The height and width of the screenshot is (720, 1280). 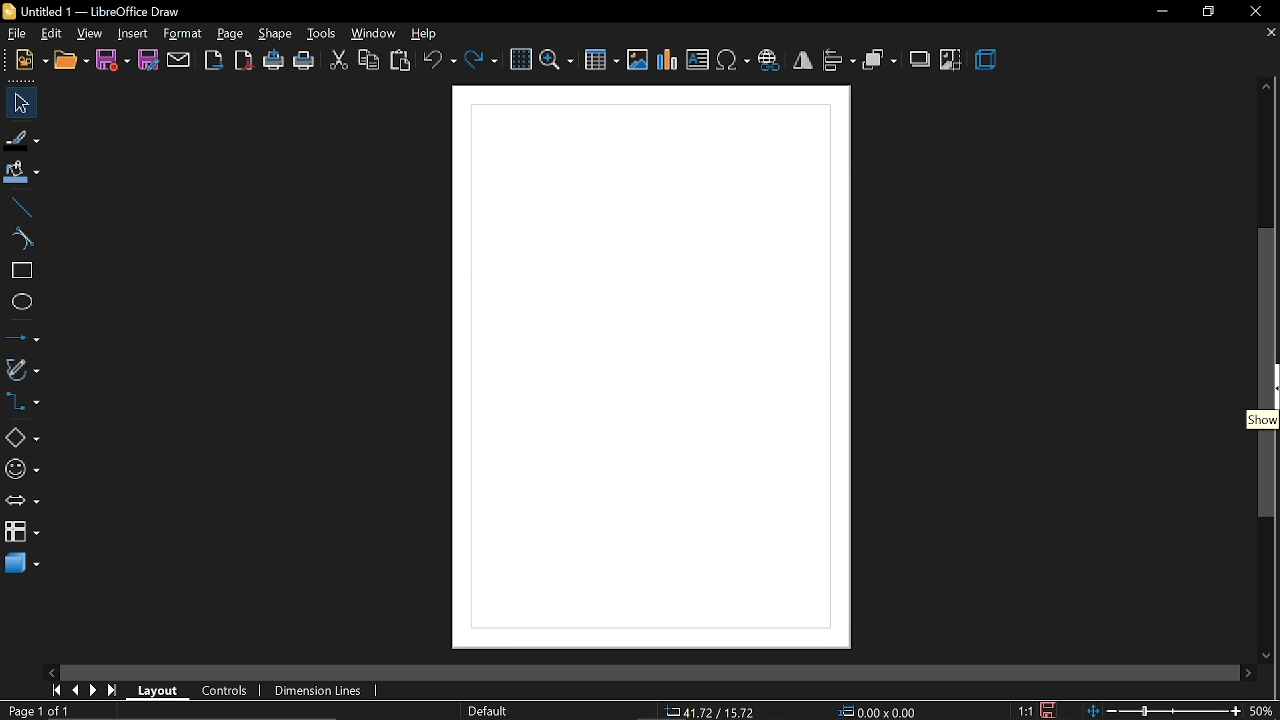 What do you see at coordinates (520, 60) in the screenshot?
I see `grid` at bounding box center [520, 60].